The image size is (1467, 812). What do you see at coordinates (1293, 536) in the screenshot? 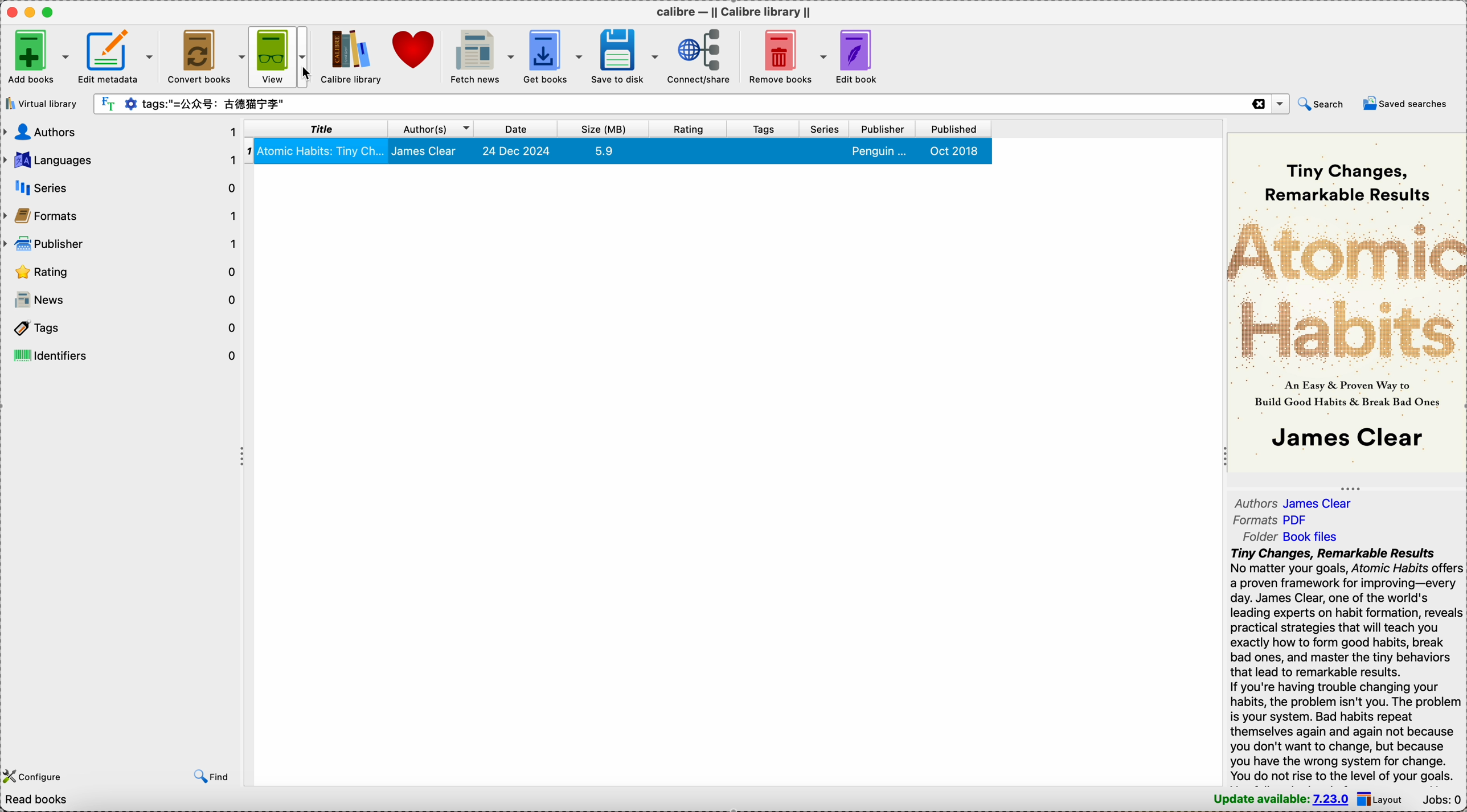
I see `folder` at bounding box center [1293, 536].